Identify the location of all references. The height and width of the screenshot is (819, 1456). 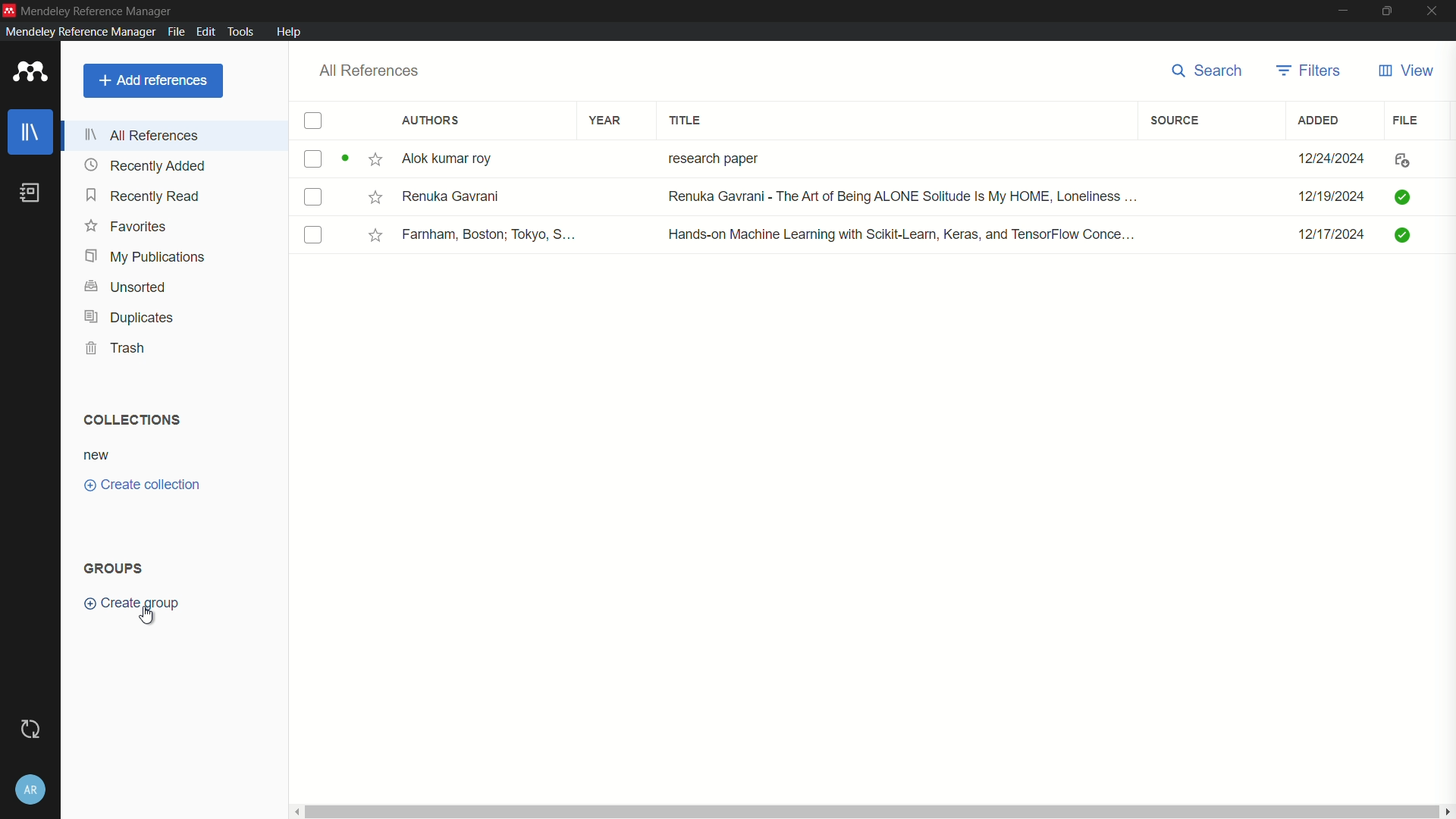
(146, 134).